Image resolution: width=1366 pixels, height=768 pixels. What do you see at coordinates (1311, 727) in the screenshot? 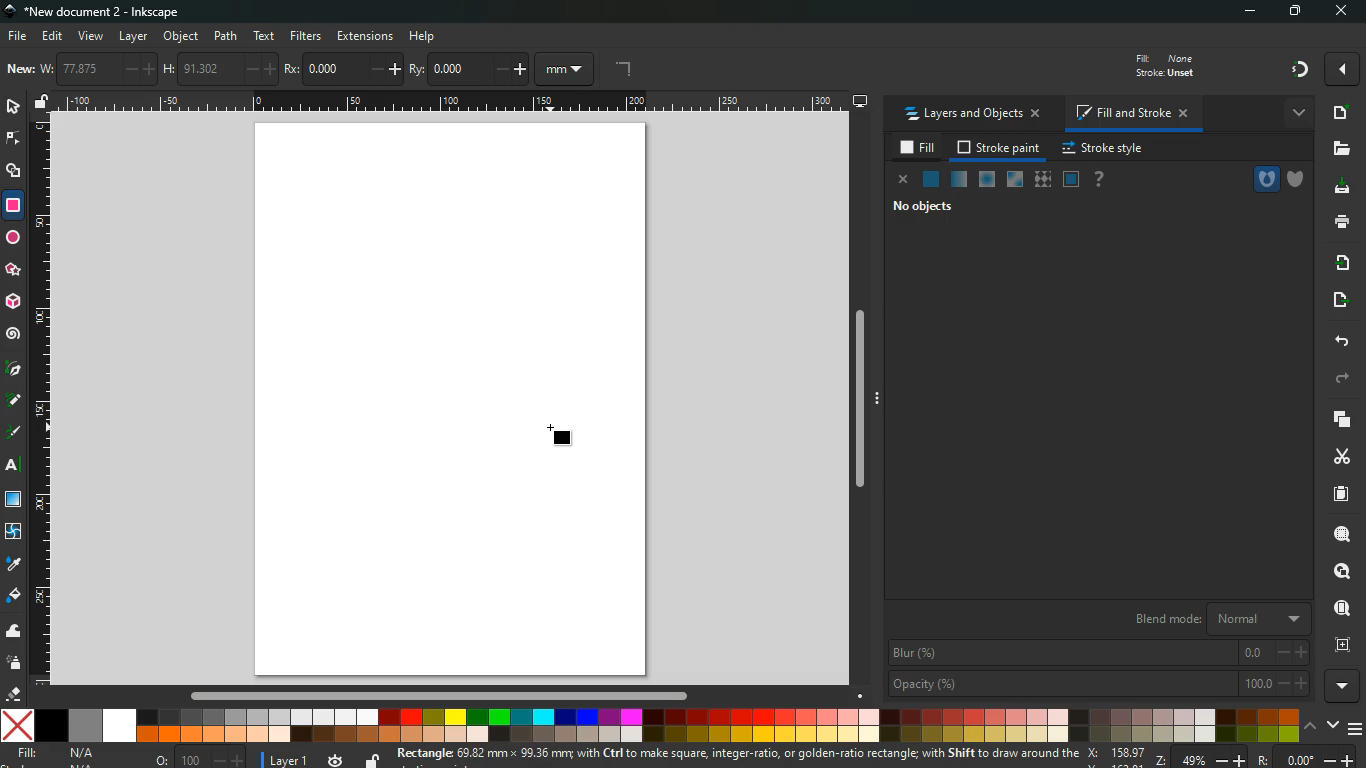
I see `up` at bounding box center [1311, 727].